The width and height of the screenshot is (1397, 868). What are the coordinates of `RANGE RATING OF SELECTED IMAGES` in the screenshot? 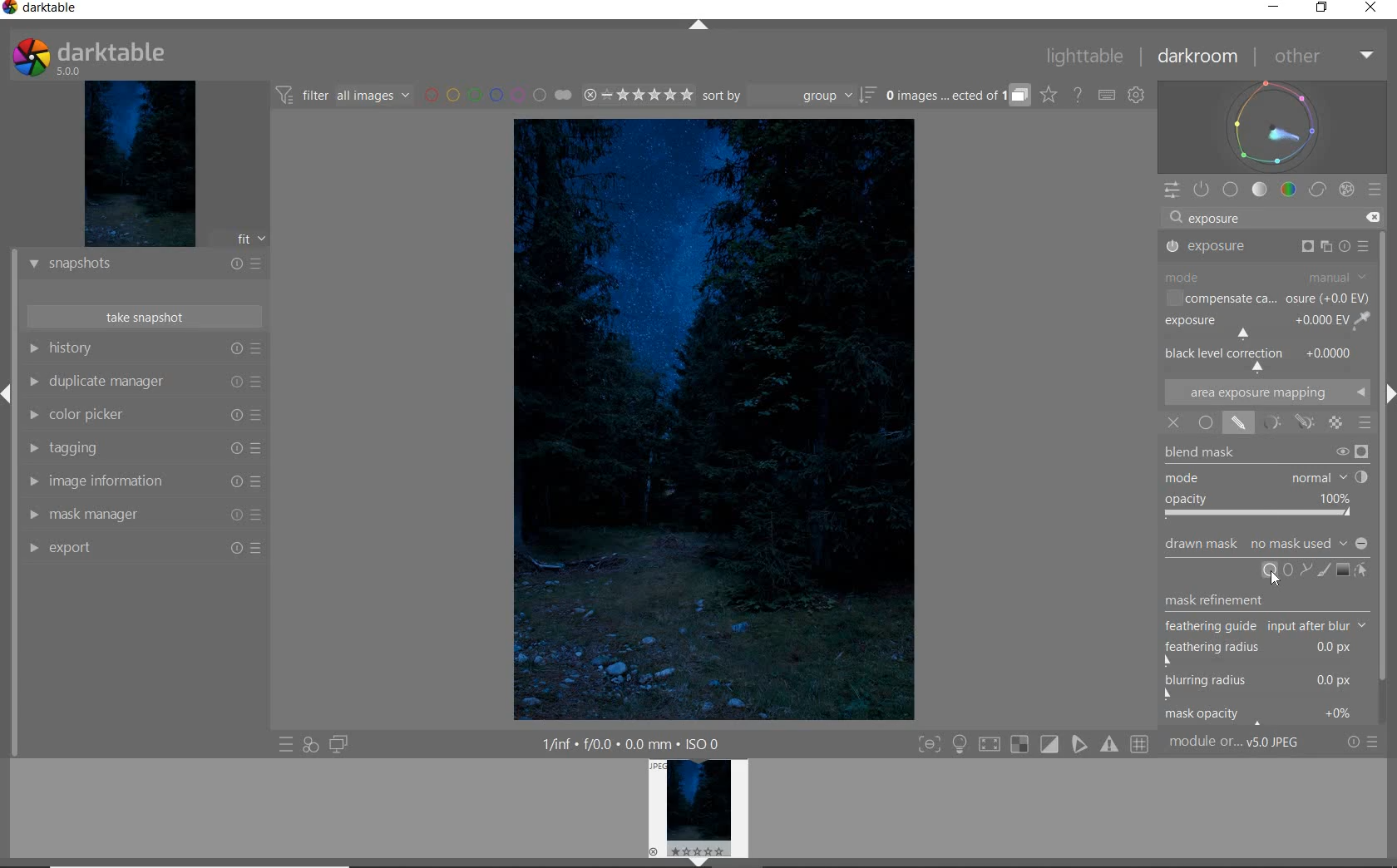 It's located at (638, 95).